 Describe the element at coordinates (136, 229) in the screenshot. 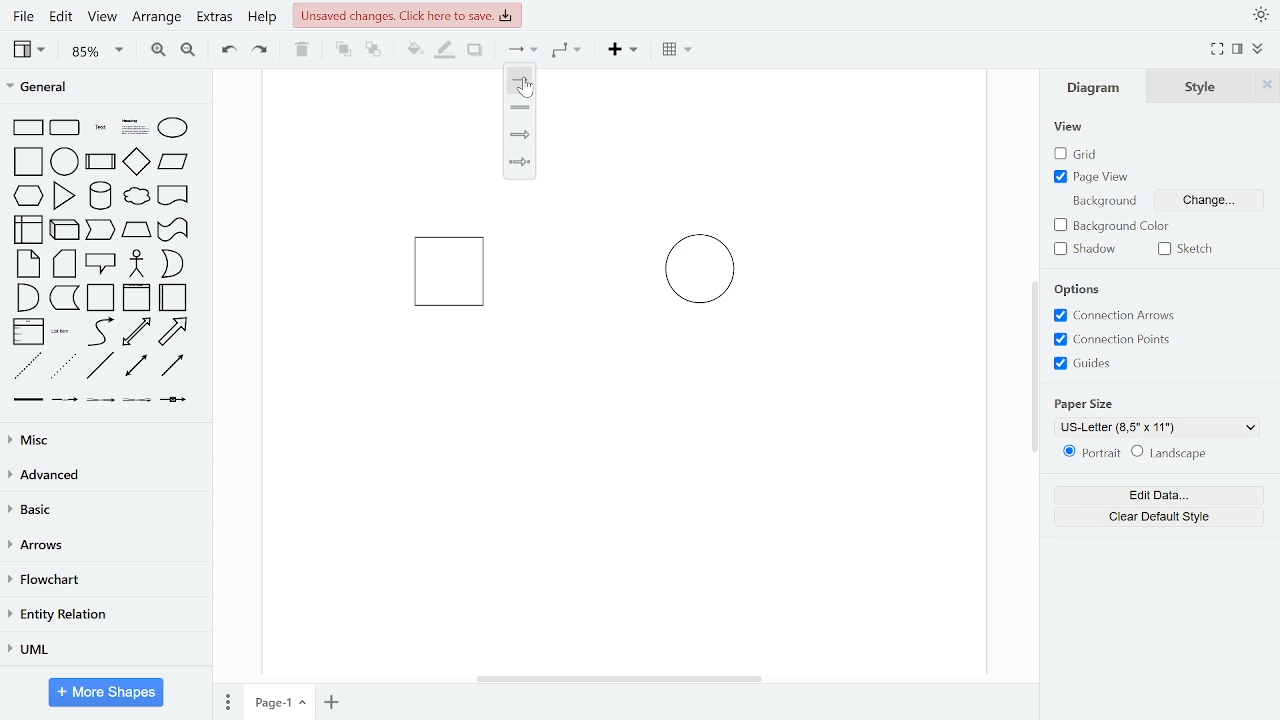

I see `trapezoid` at that location.